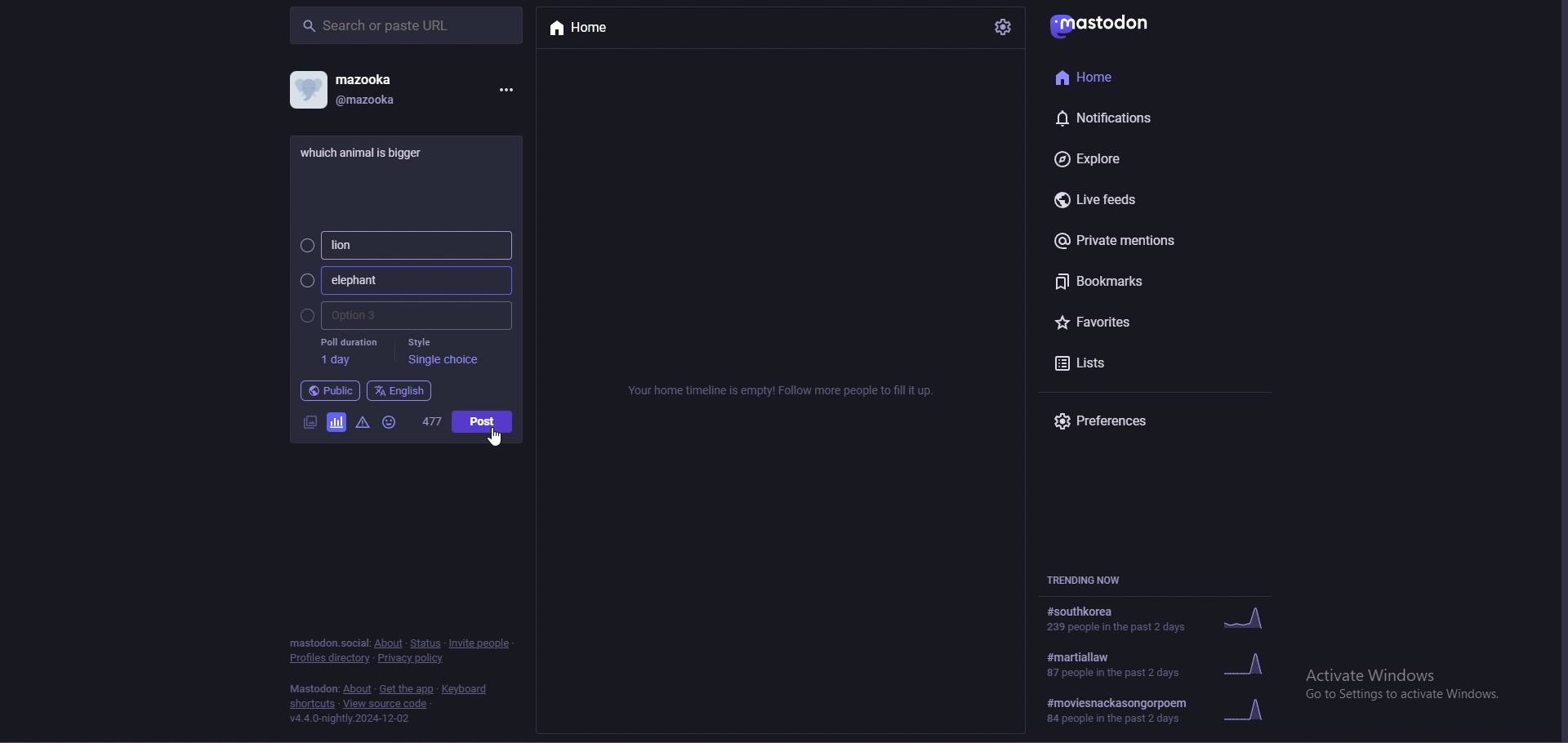 The width and height of the screenshot is (1568, 743). What do you see at coordinates (1119, 422) in the screenshot?
I see `preferences` at bounding box center [1119, 422].